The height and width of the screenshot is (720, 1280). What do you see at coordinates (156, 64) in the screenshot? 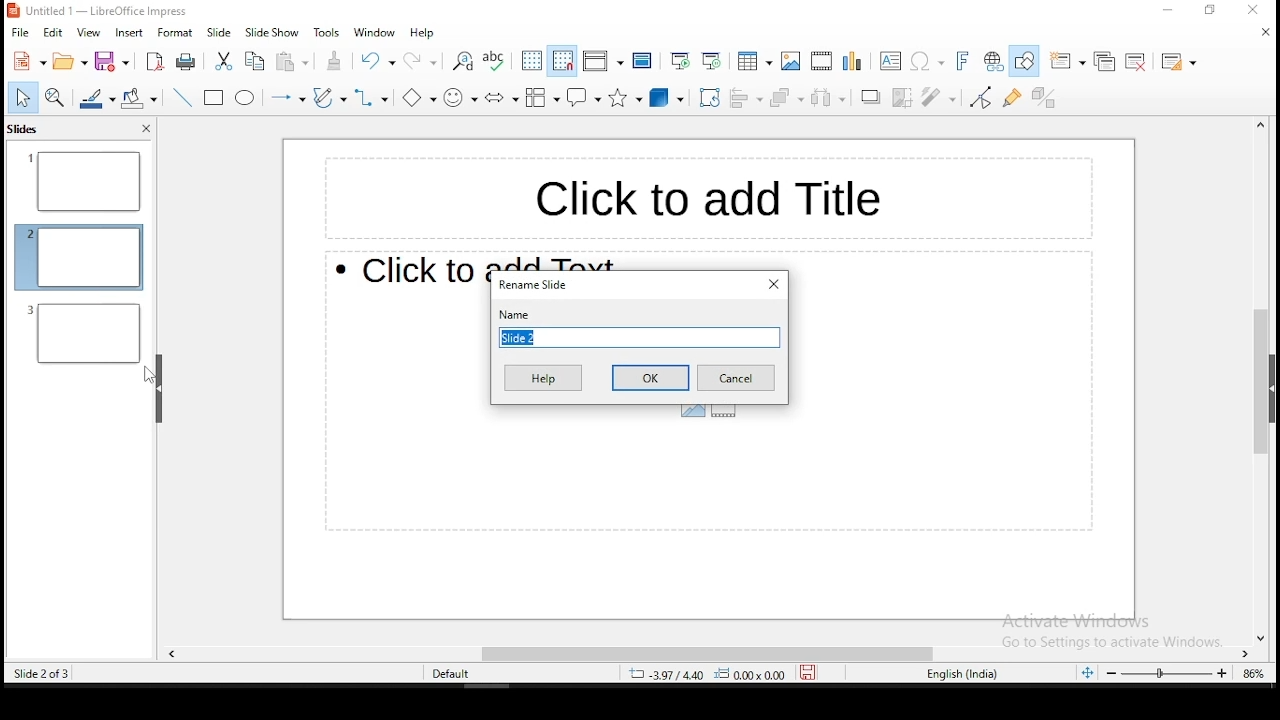
I see `export as pdf` at bounding box center [156, 64].